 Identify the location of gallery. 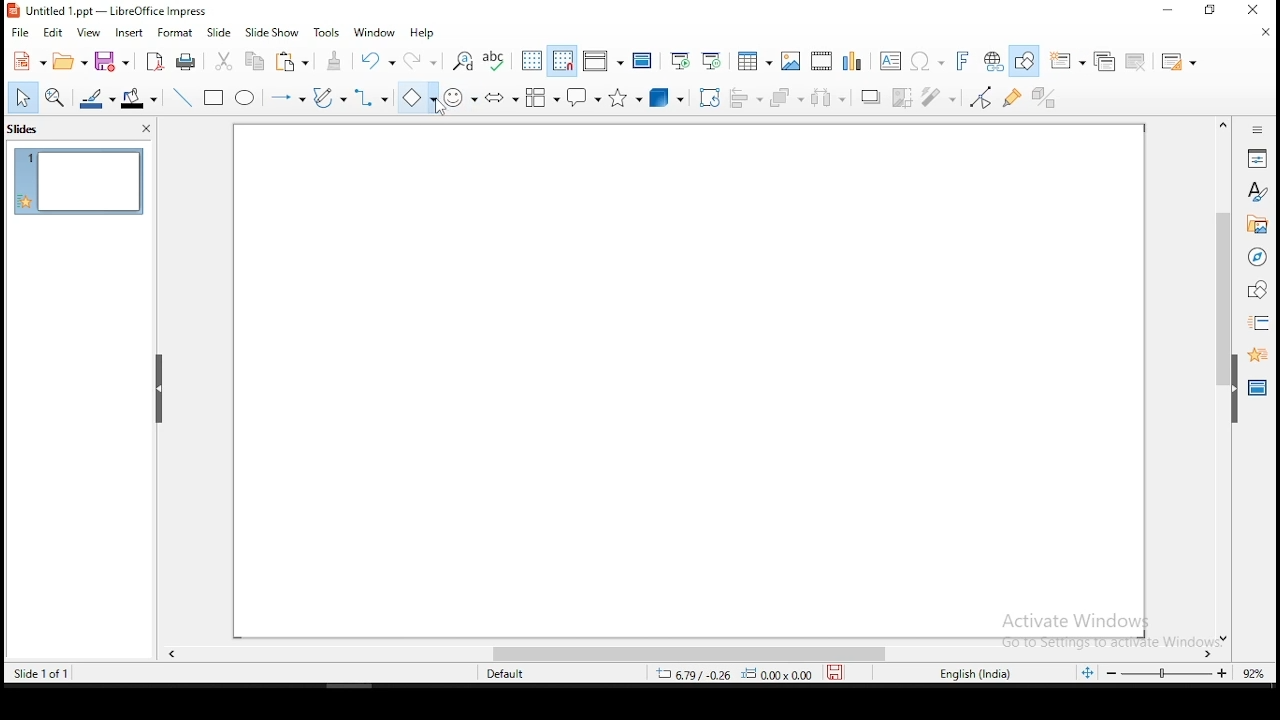
(1256, 227).